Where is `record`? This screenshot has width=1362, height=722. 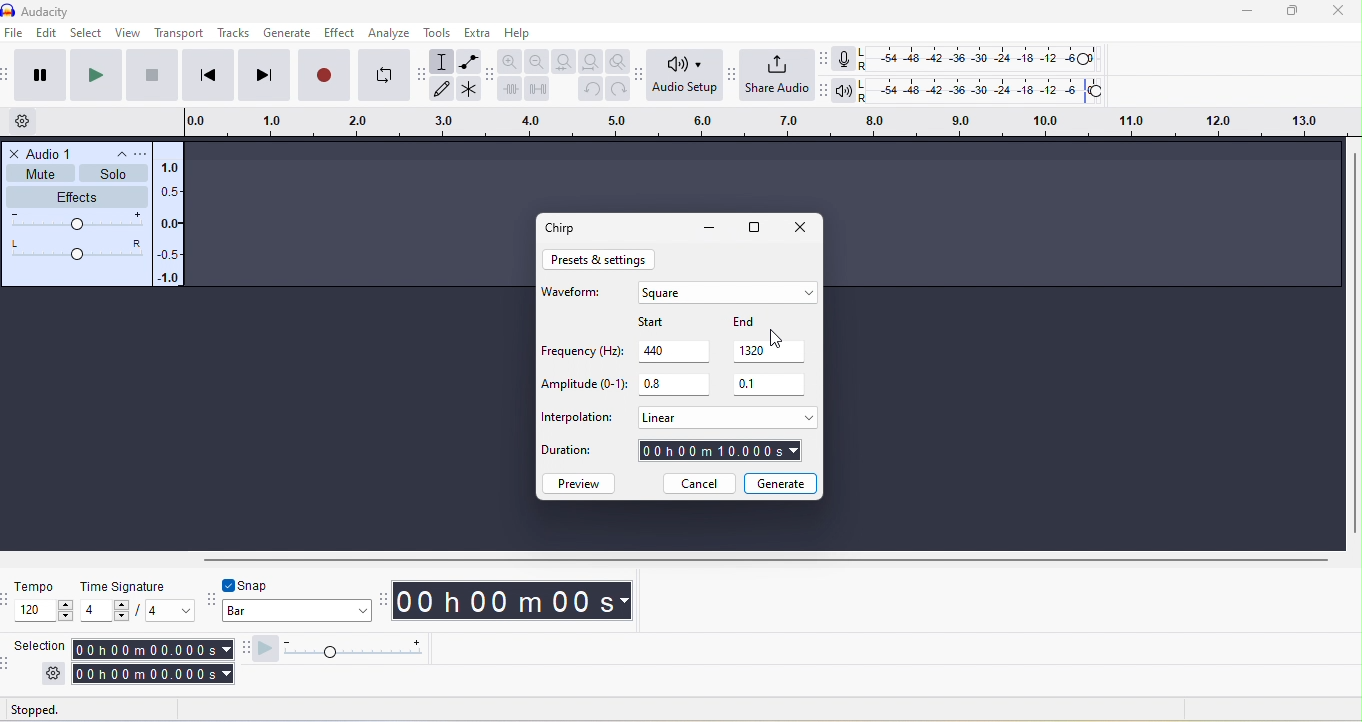 record is located at coordinates (323, 75).